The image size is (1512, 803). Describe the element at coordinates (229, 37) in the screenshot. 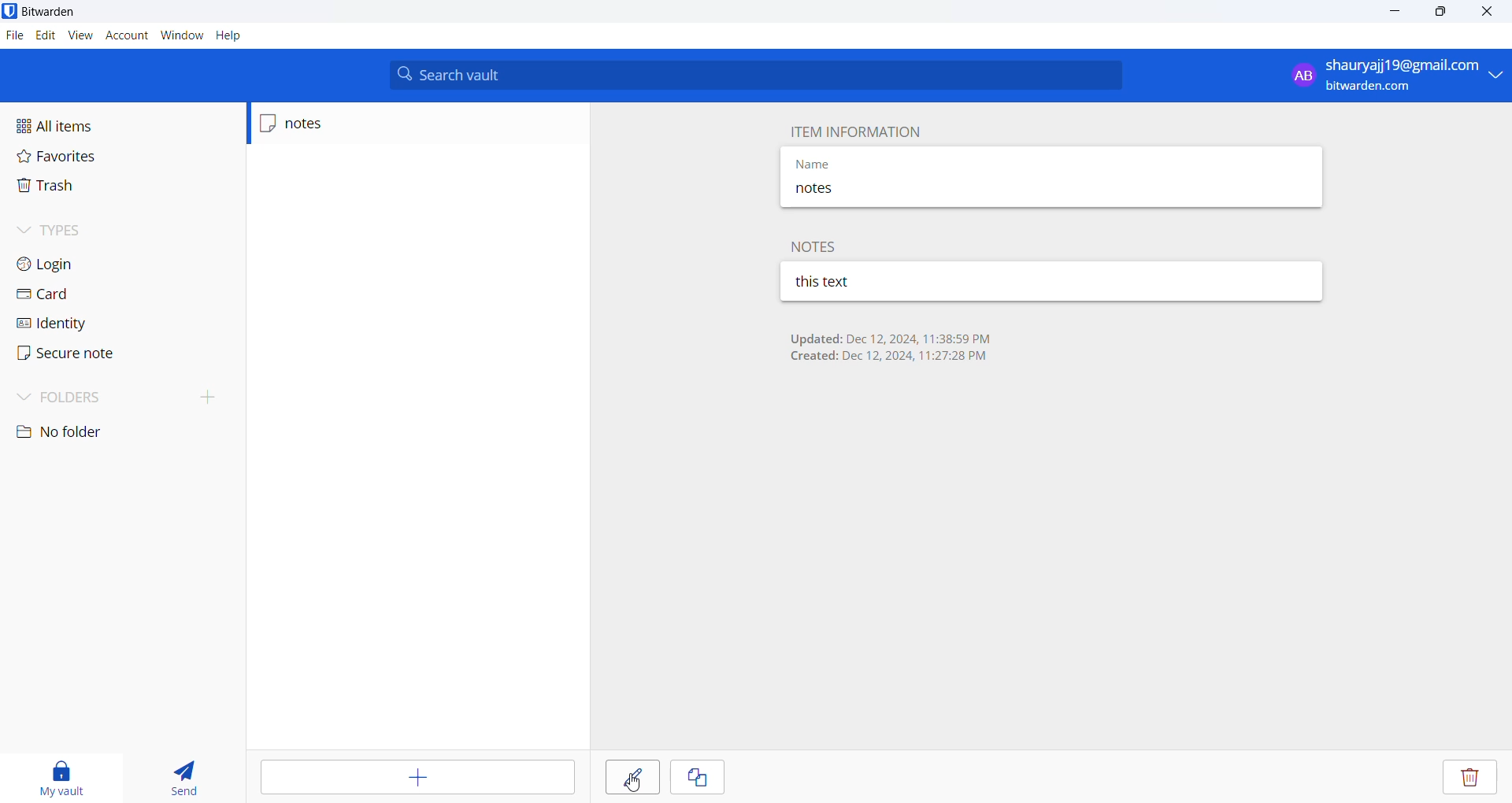

I see `help` at that location.